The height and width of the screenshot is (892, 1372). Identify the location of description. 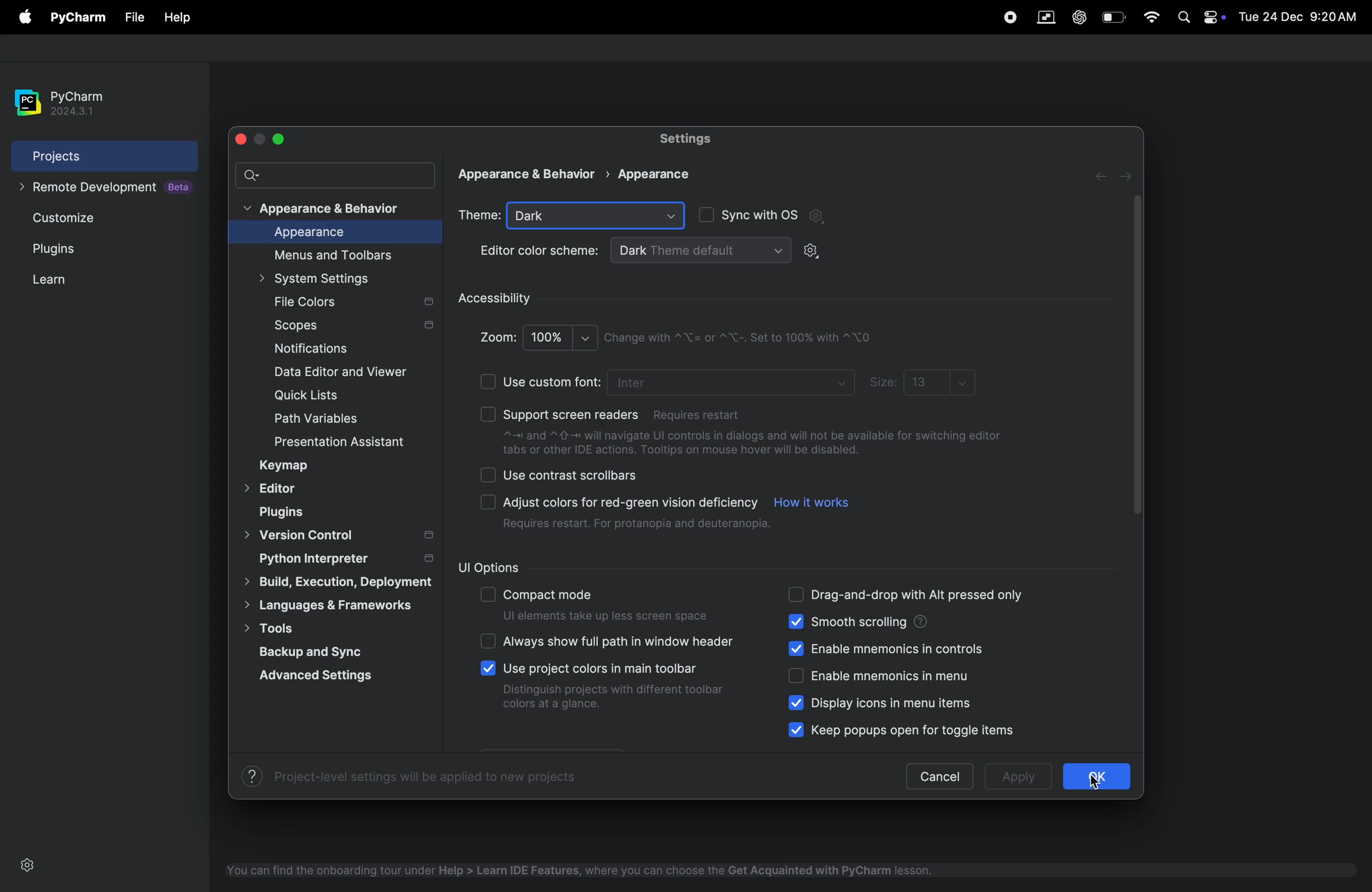
(754, 445).